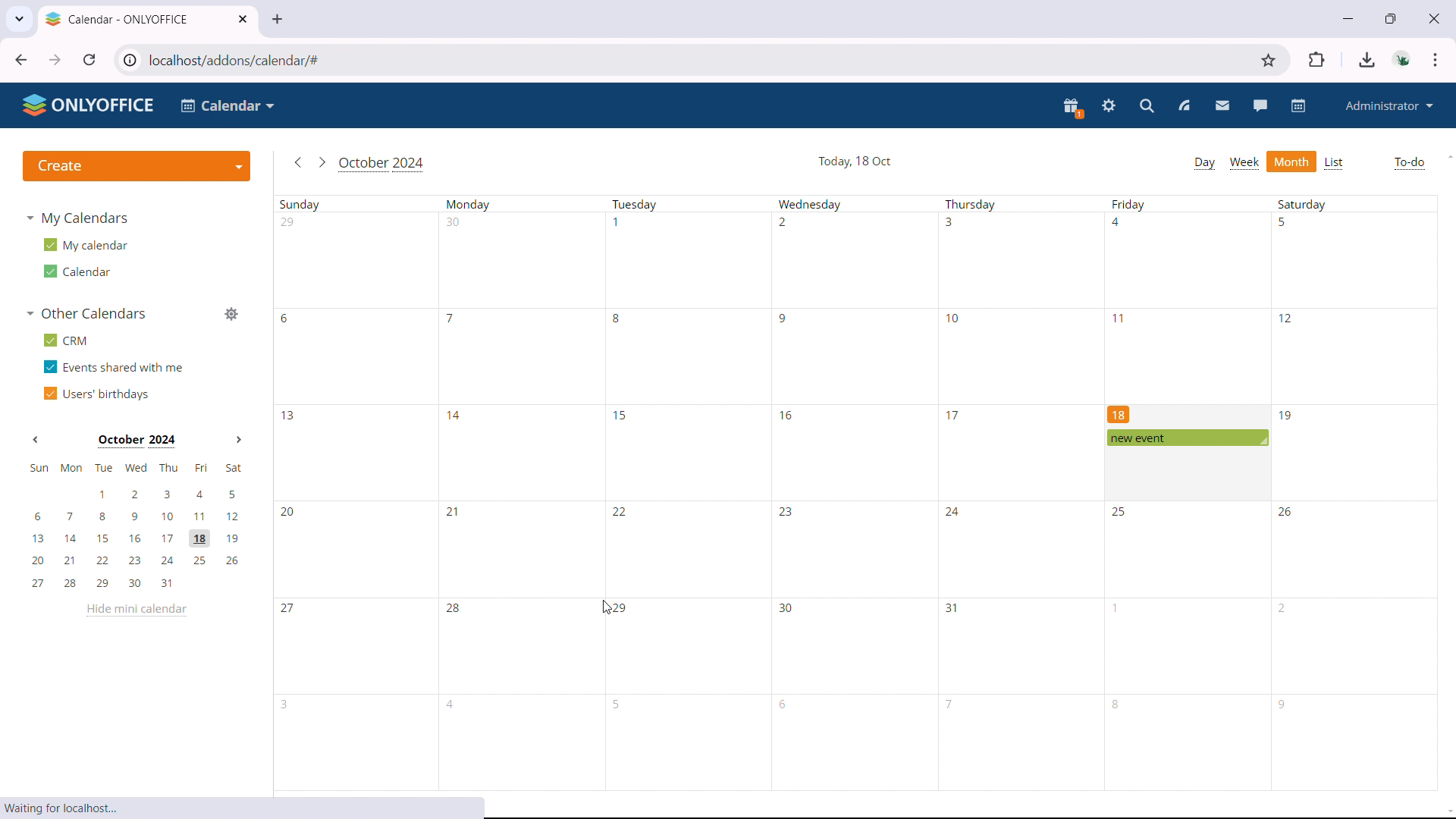 The image size is (1456, 819). What do you see at coordinates (135, 610) in the screenshot?
I see `hide mini calendar` at bounding box center [135, 610].